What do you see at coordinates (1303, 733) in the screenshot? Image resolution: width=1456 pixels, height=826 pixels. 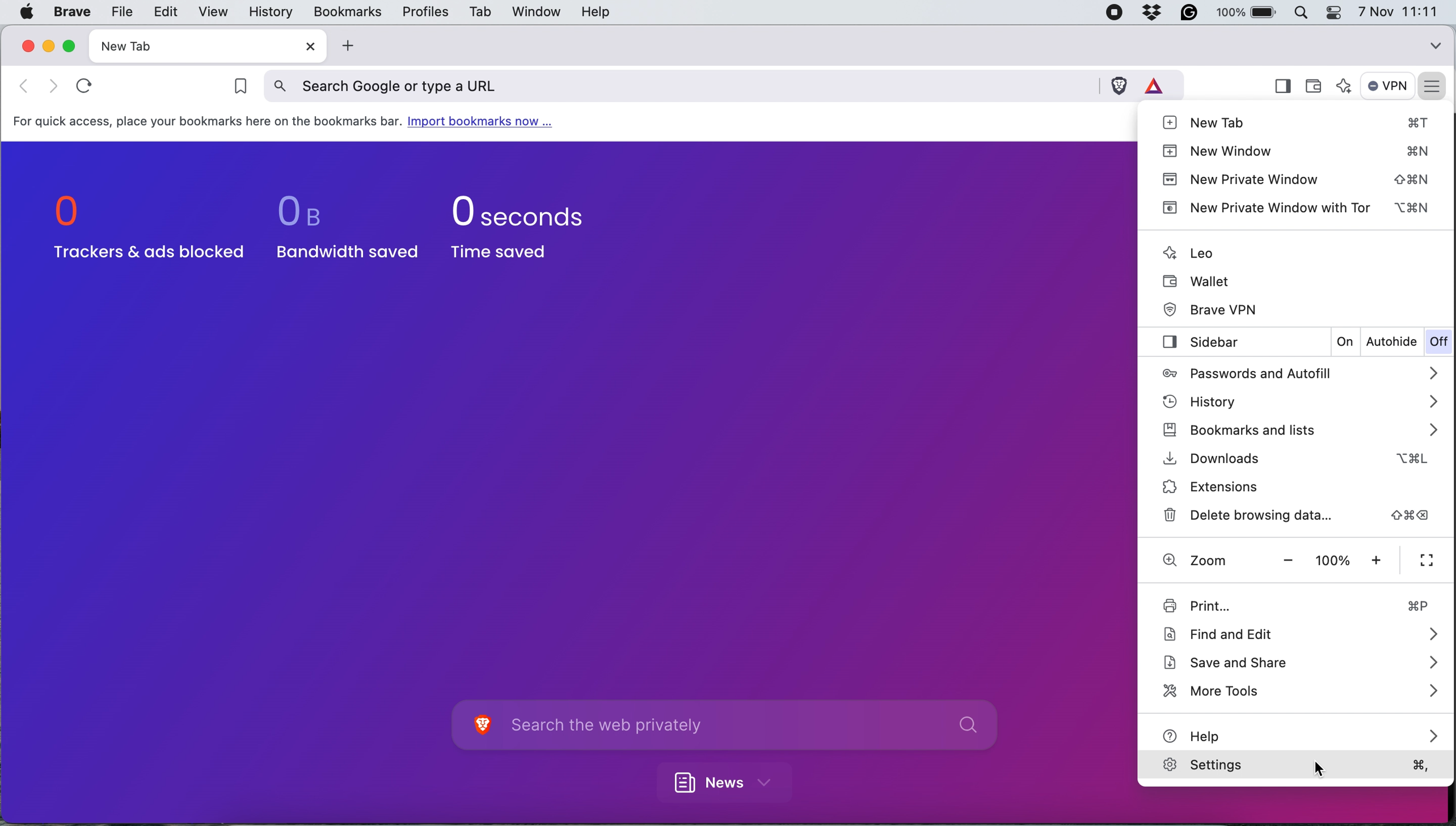 I see `help` at bounding box center [1303, 733].